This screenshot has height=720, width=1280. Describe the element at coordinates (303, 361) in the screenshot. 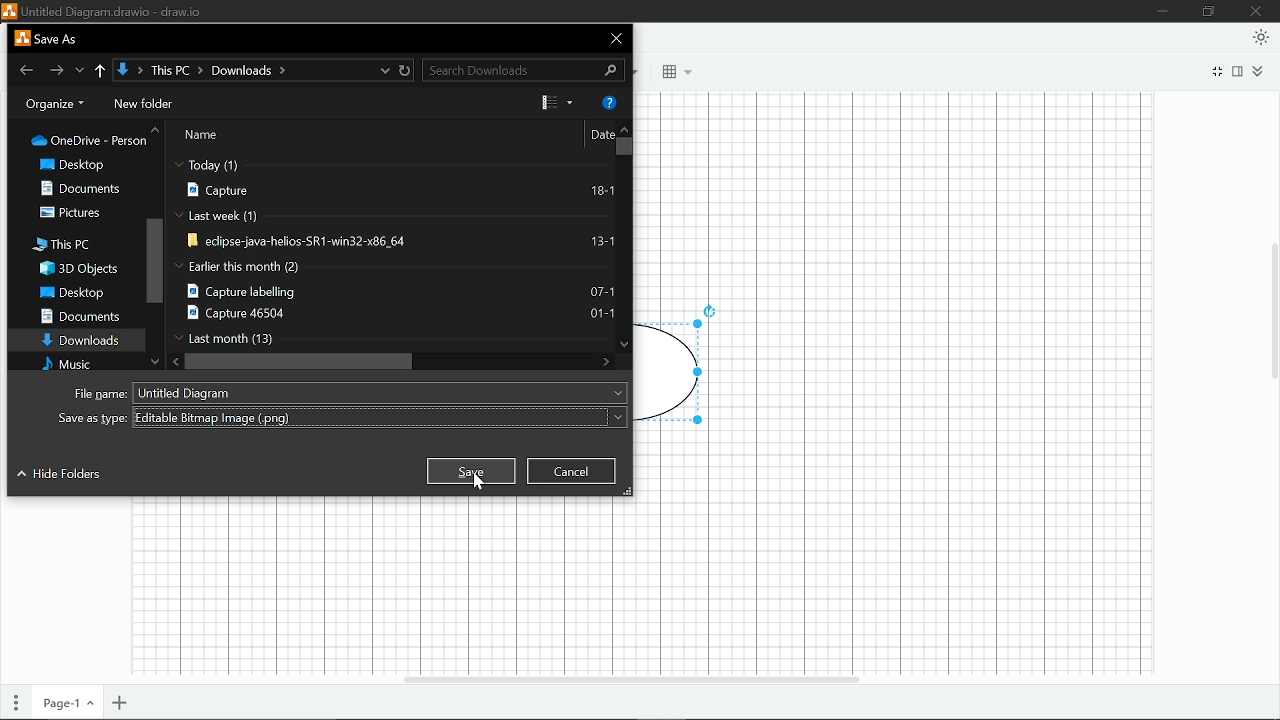

I see `Horizontal scrollbar for files in "Downloads""` at that location.